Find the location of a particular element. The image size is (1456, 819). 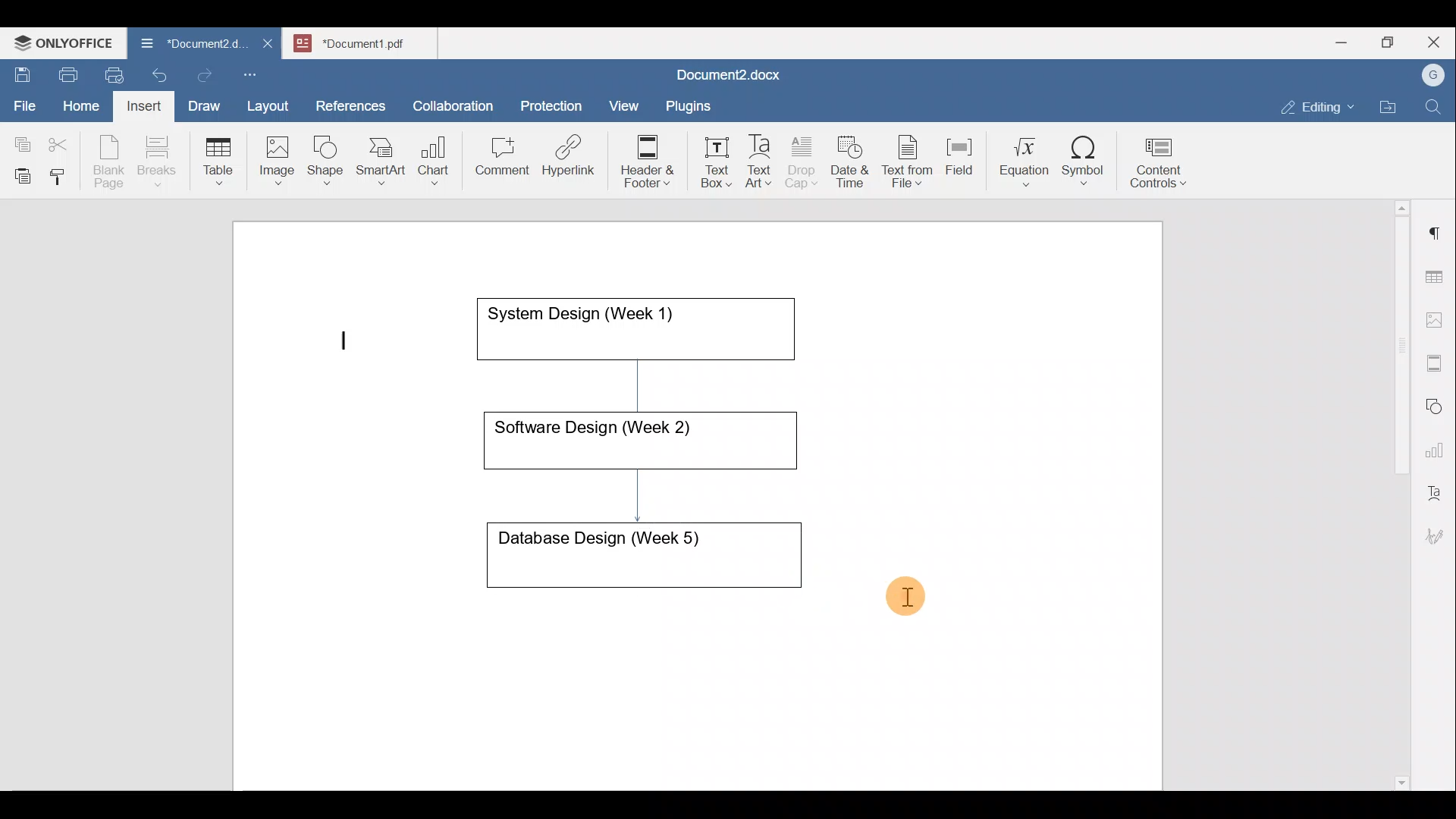

Undo is located at coordinates (156, 73).